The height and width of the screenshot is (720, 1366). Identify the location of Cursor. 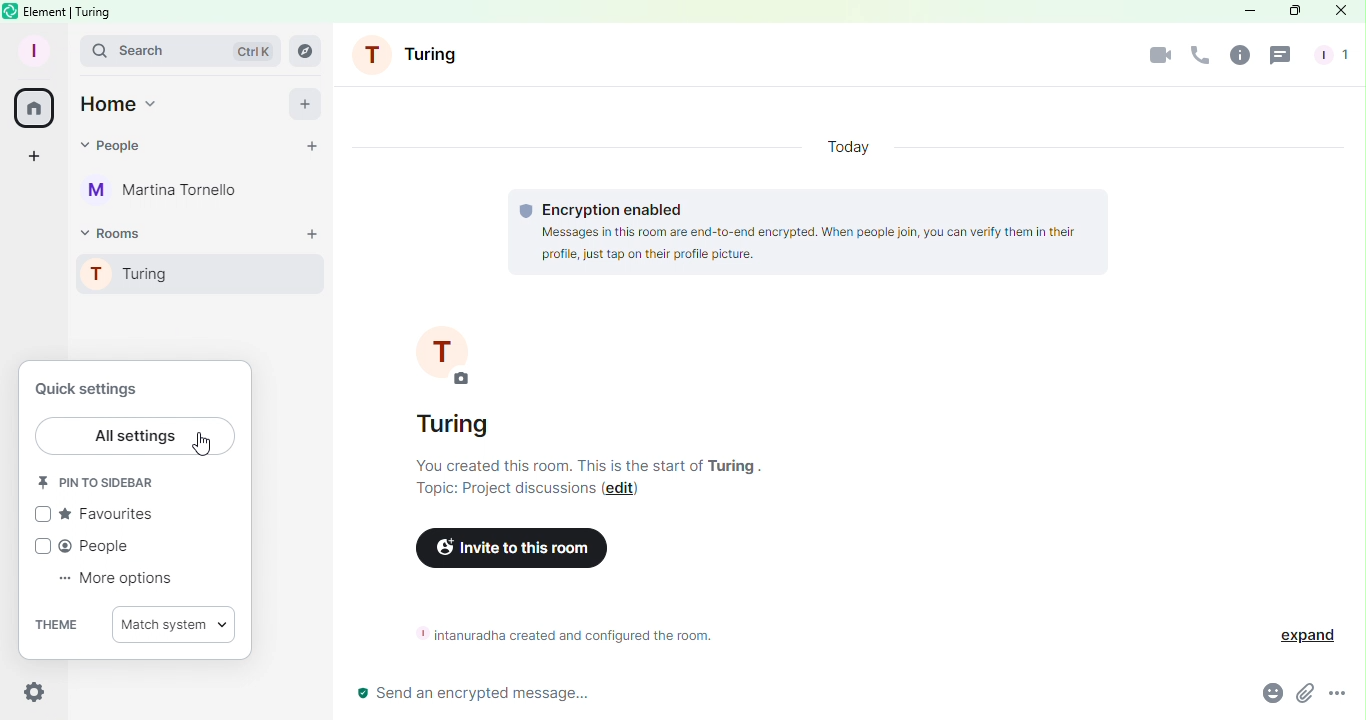
(201, 446).